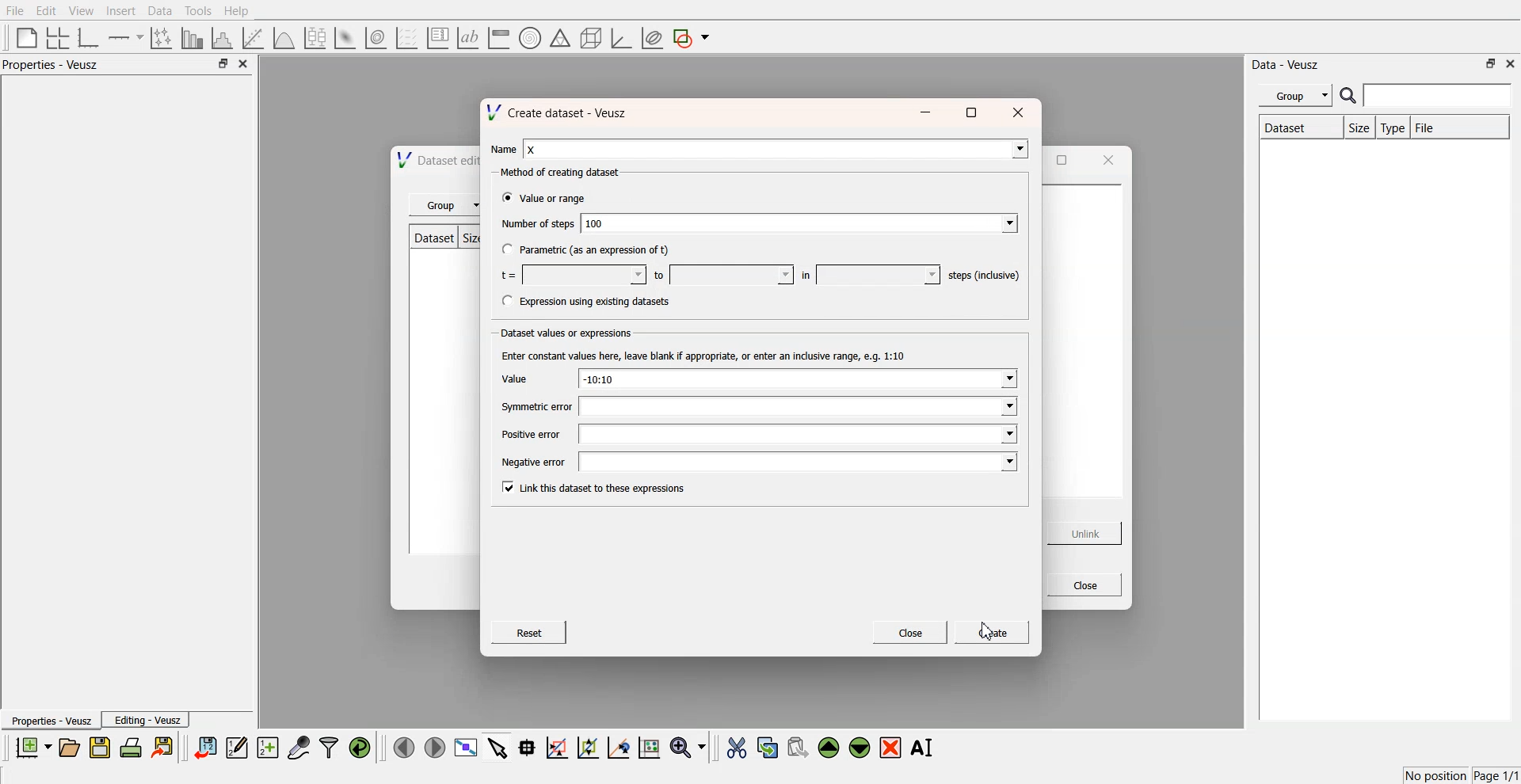 This screenshot has width=1521, height=784. Describe the element at coordinates (527, 748) in the screenshot. I see `read data points` at that location.